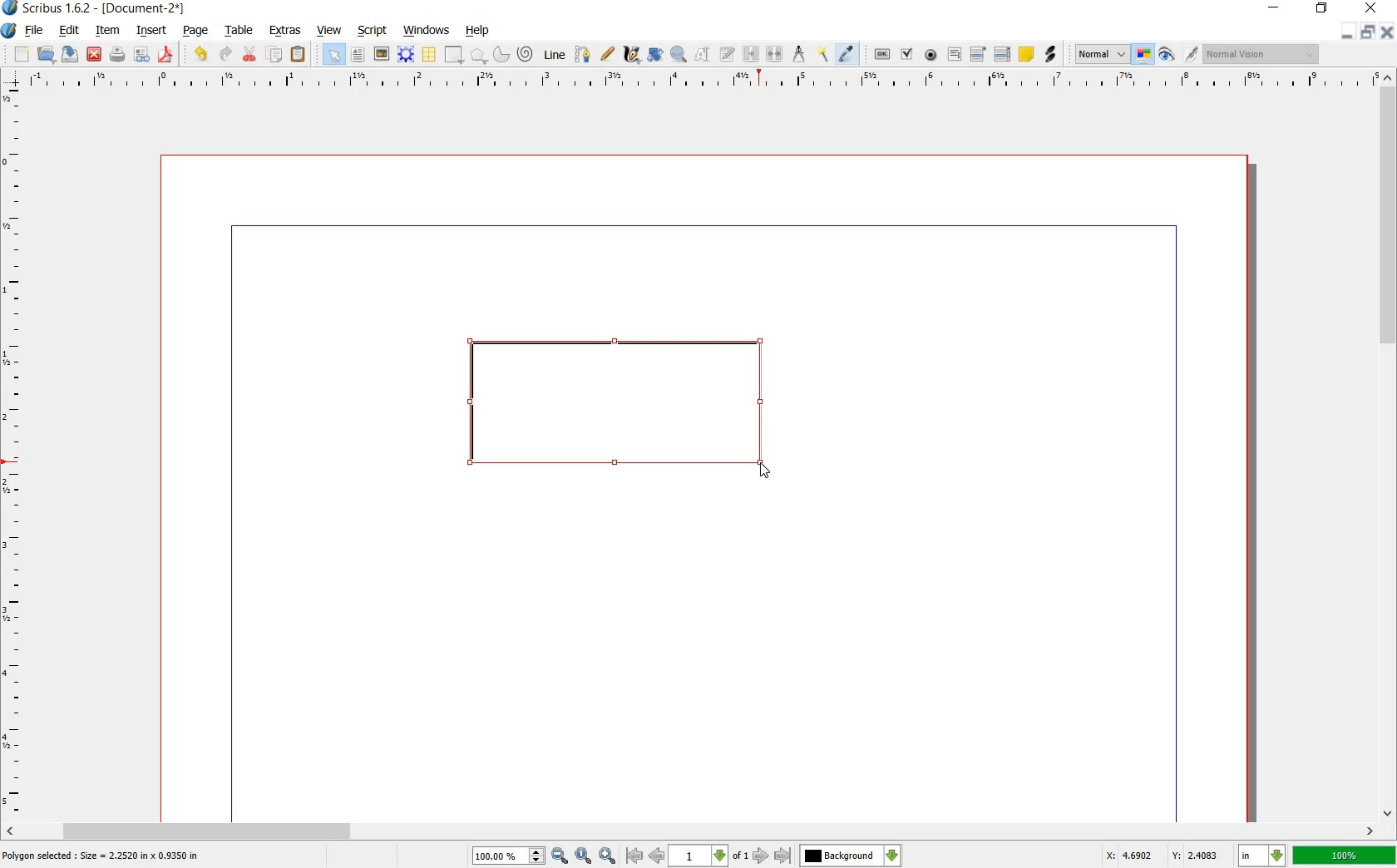 Image resolution: width=1397 pixels, height=868 pixels. Describe the element at coordinates (1320, 11) in the screenshot. I see `RESTORE` at that location.